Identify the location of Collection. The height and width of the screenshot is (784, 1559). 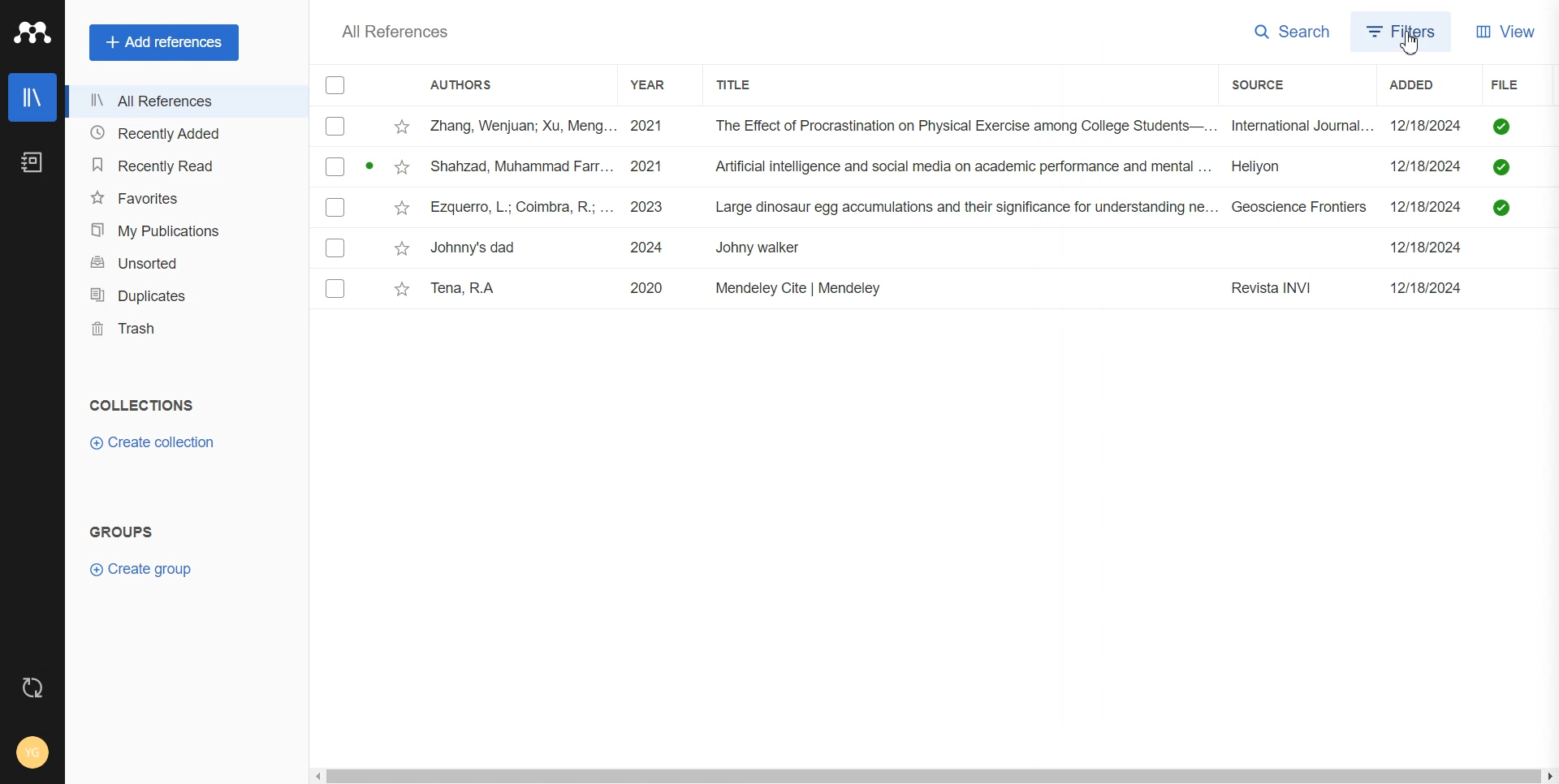
(143, 405).